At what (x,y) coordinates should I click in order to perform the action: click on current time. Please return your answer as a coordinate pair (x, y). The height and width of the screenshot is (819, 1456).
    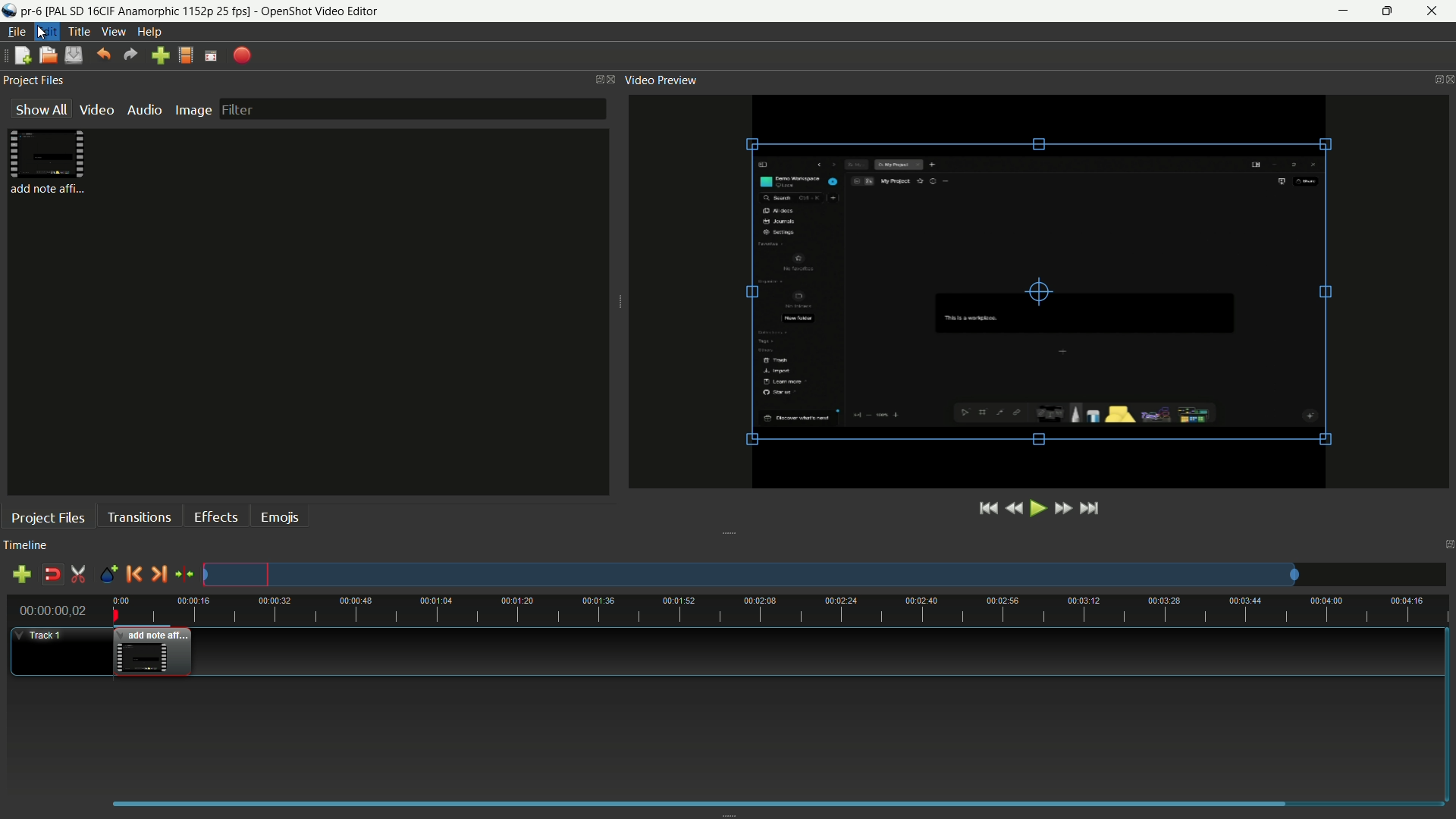
    Looking at the image, I should click on (54, 610).